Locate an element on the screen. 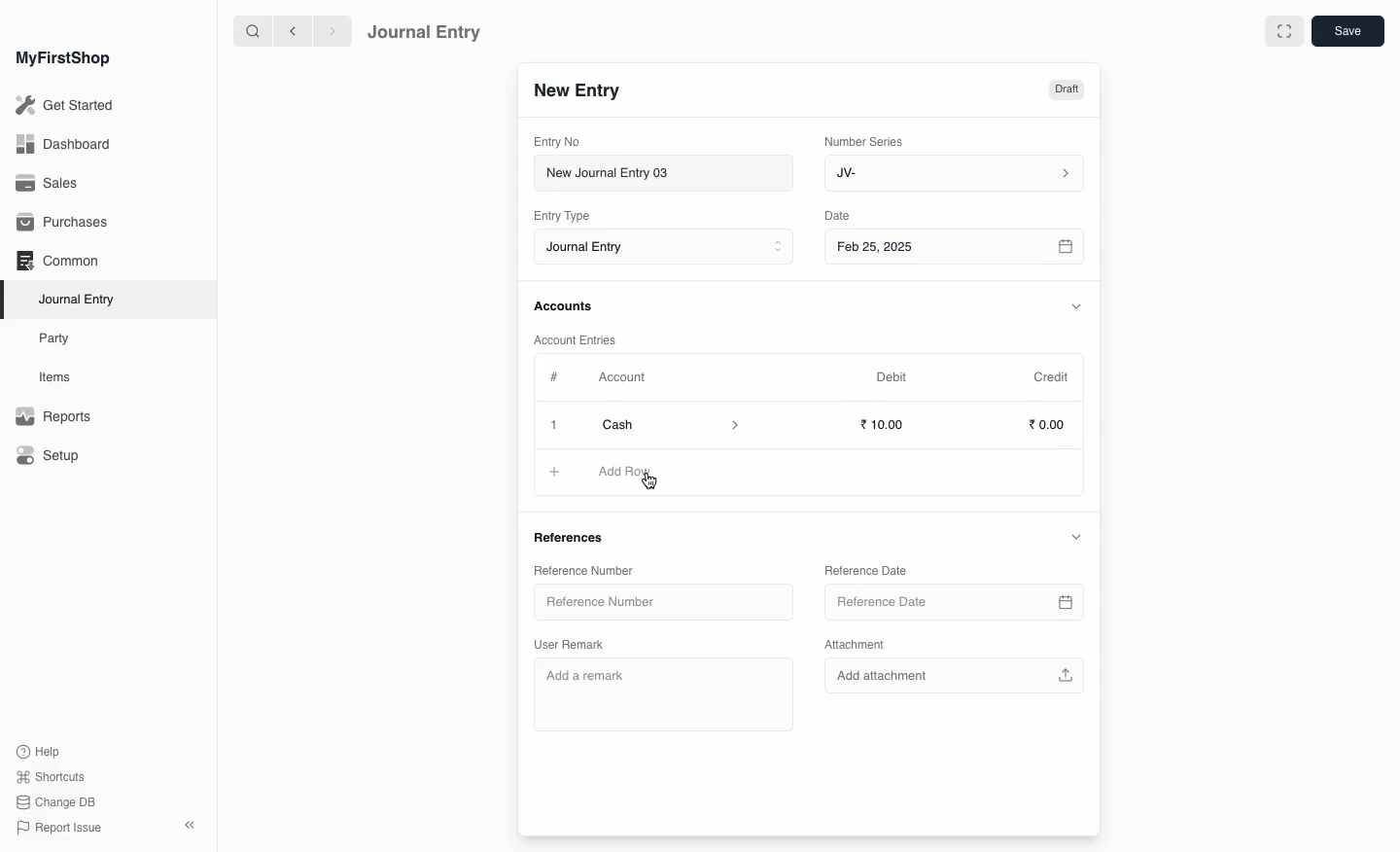  1 is located at coordinates (556, 426).